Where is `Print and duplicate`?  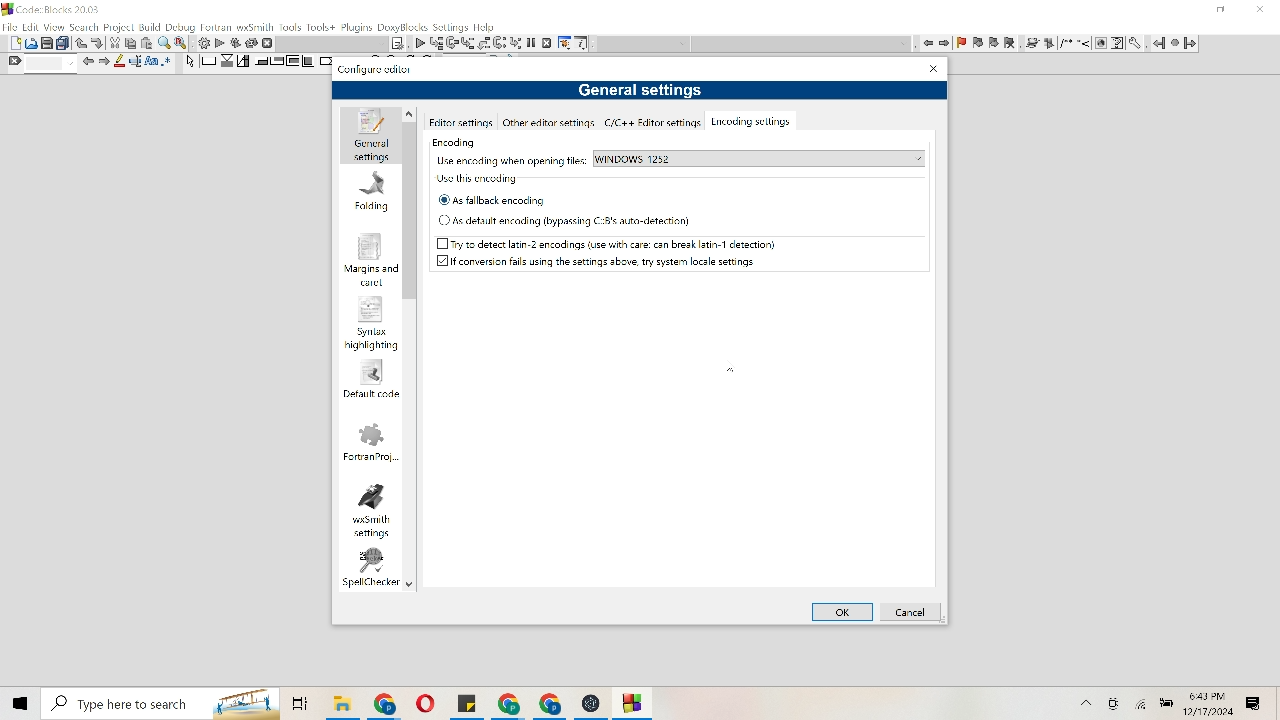
Print and duplicate is located at coordinates (56, 42).